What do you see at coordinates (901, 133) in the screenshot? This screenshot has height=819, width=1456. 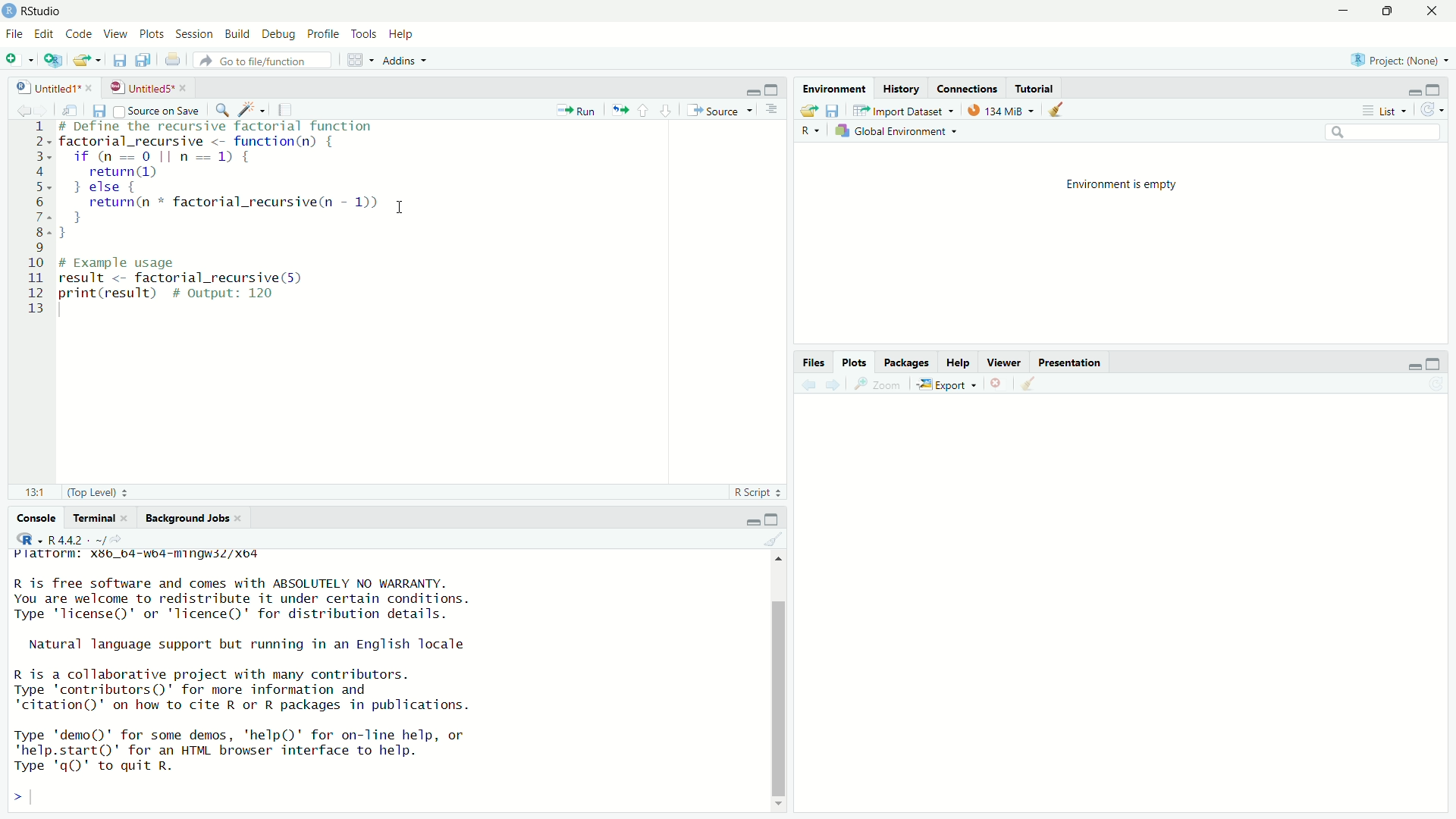 I see `Global Environment` at bounding box center [901, 133].